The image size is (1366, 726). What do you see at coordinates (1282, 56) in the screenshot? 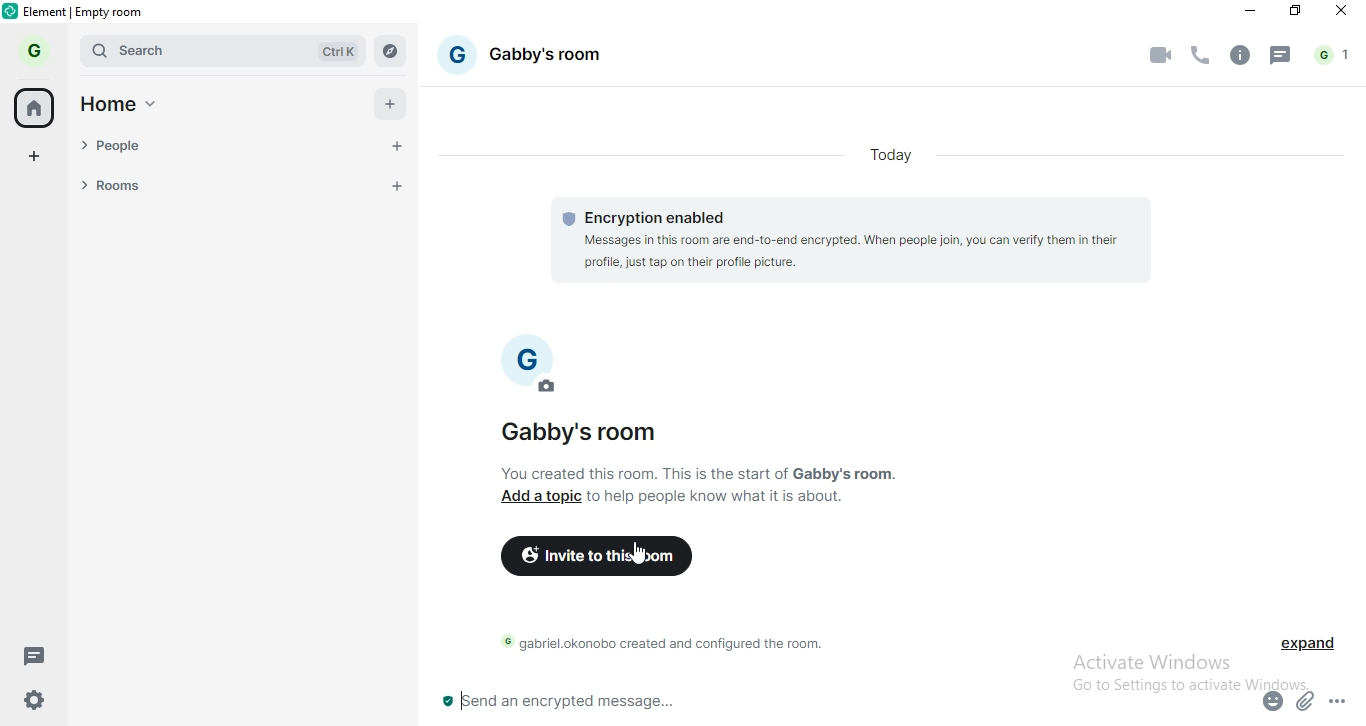
I see `chat` at bounding box center [1282, 56].